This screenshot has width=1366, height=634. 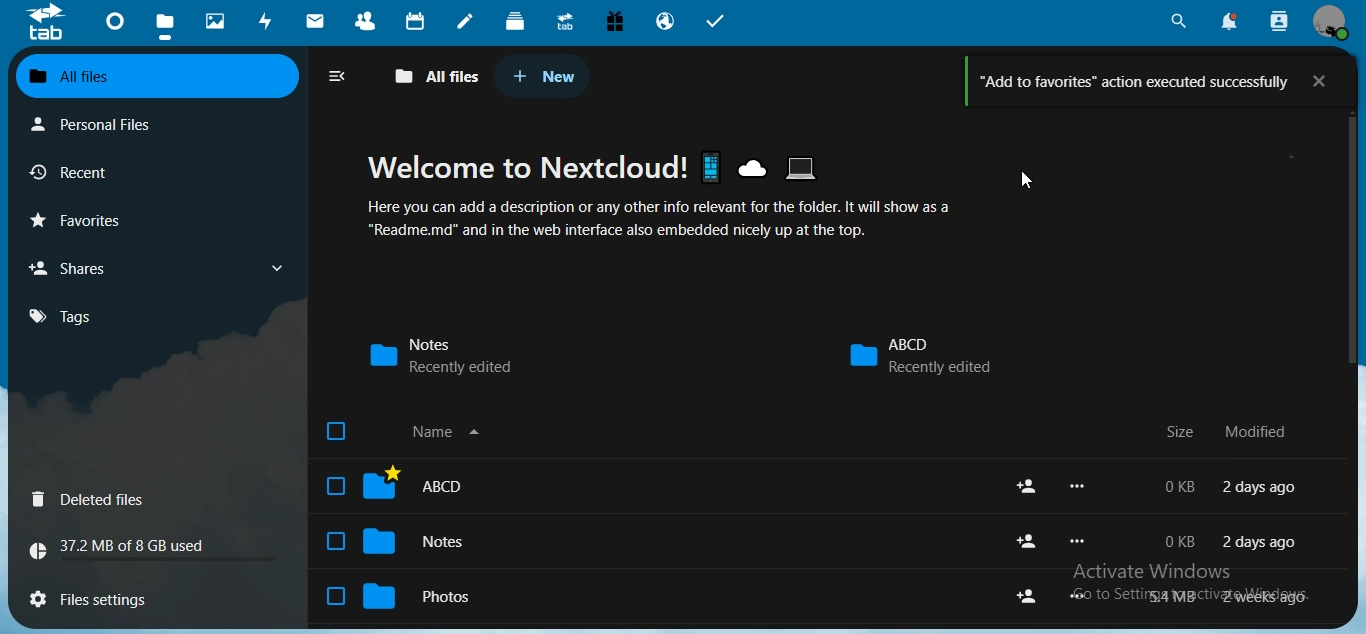 What do you see at coordinates (1027, 541) in the screenshot?
I see `share` at bounding box center [1027, 541].